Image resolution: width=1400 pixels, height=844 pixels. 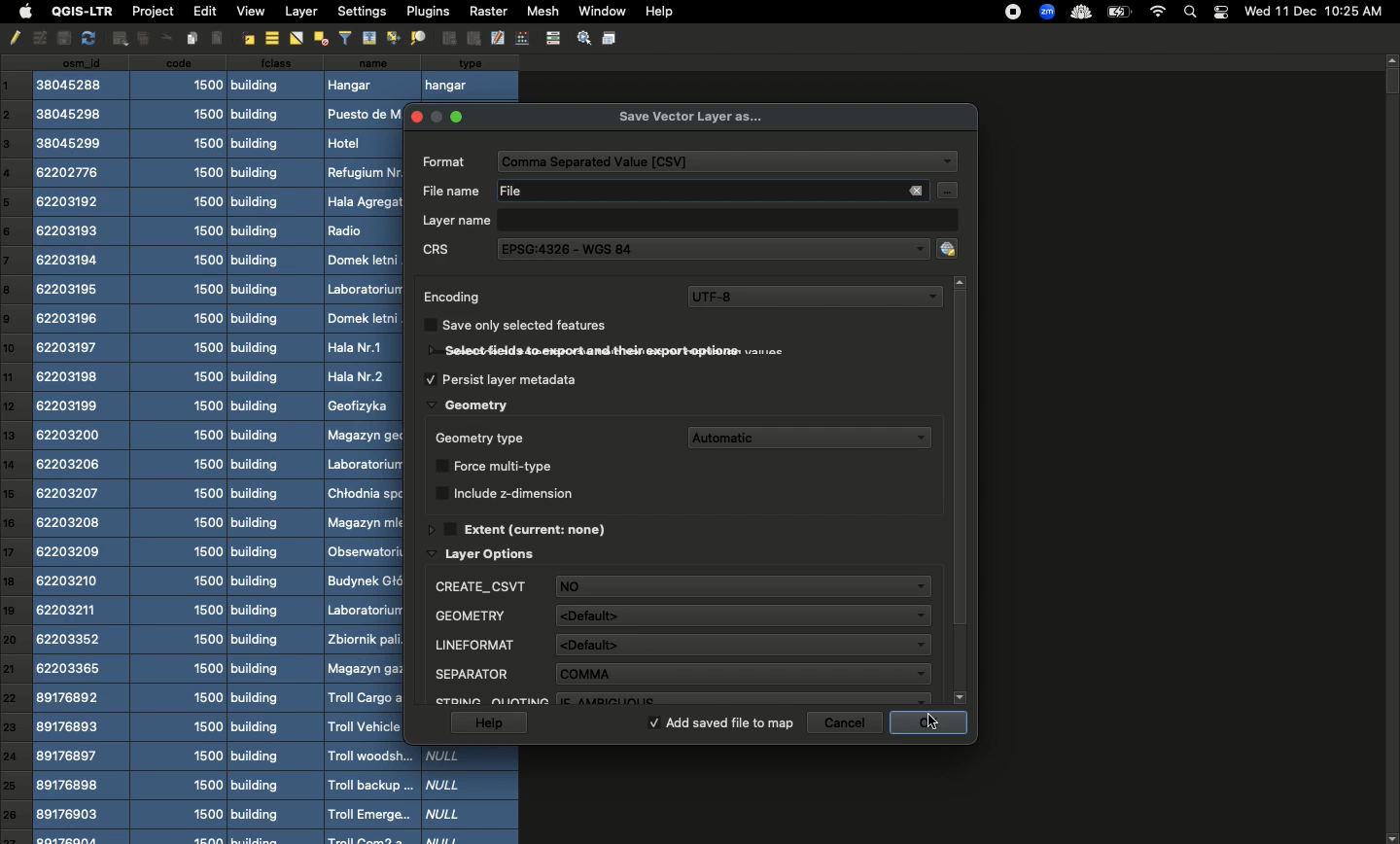 I want to click on zoom, so click(x=1044, y=12).